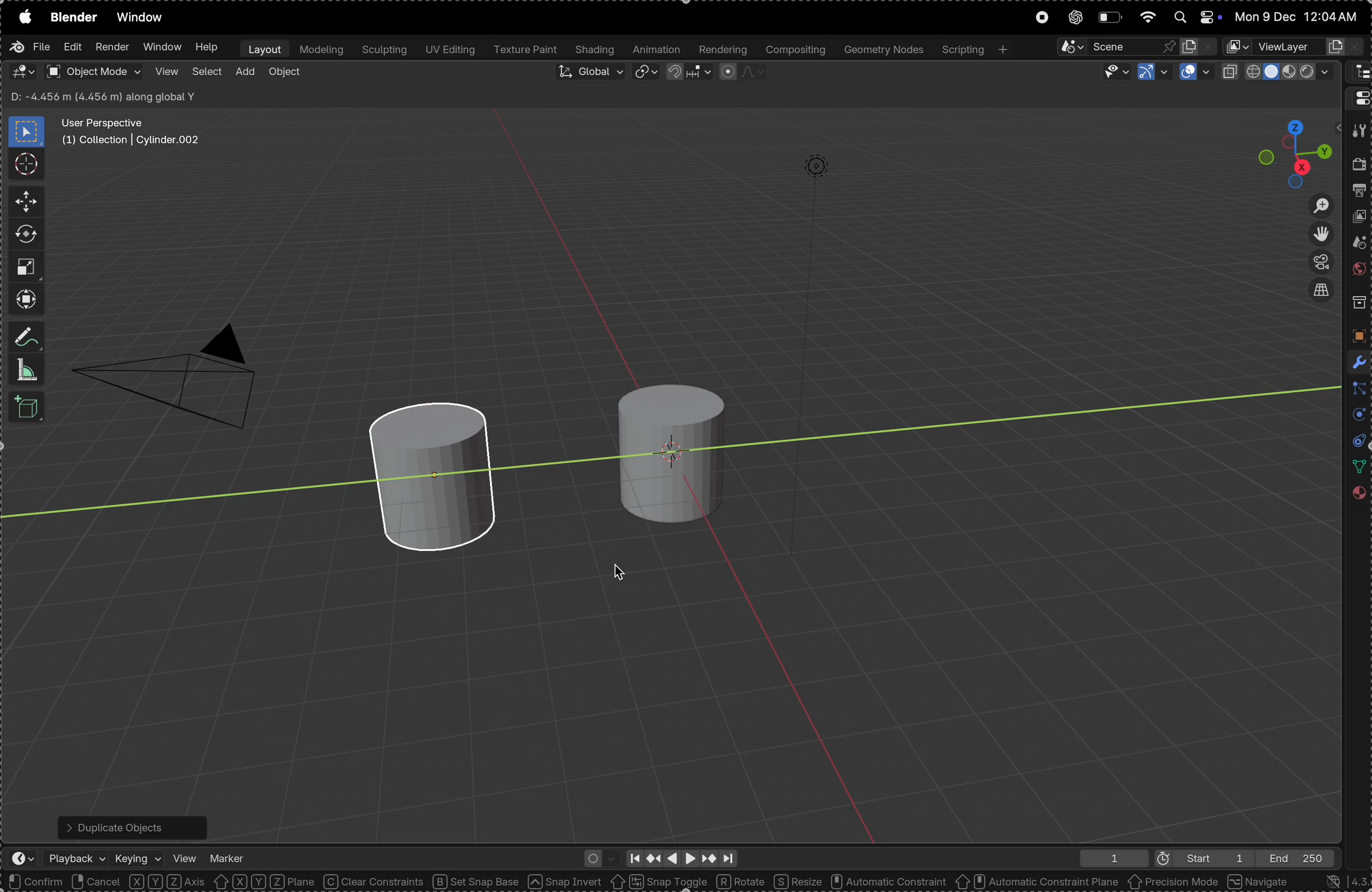  Describe the element at coordinates (794, 50) in the screenshot. I see `composting` at that location.